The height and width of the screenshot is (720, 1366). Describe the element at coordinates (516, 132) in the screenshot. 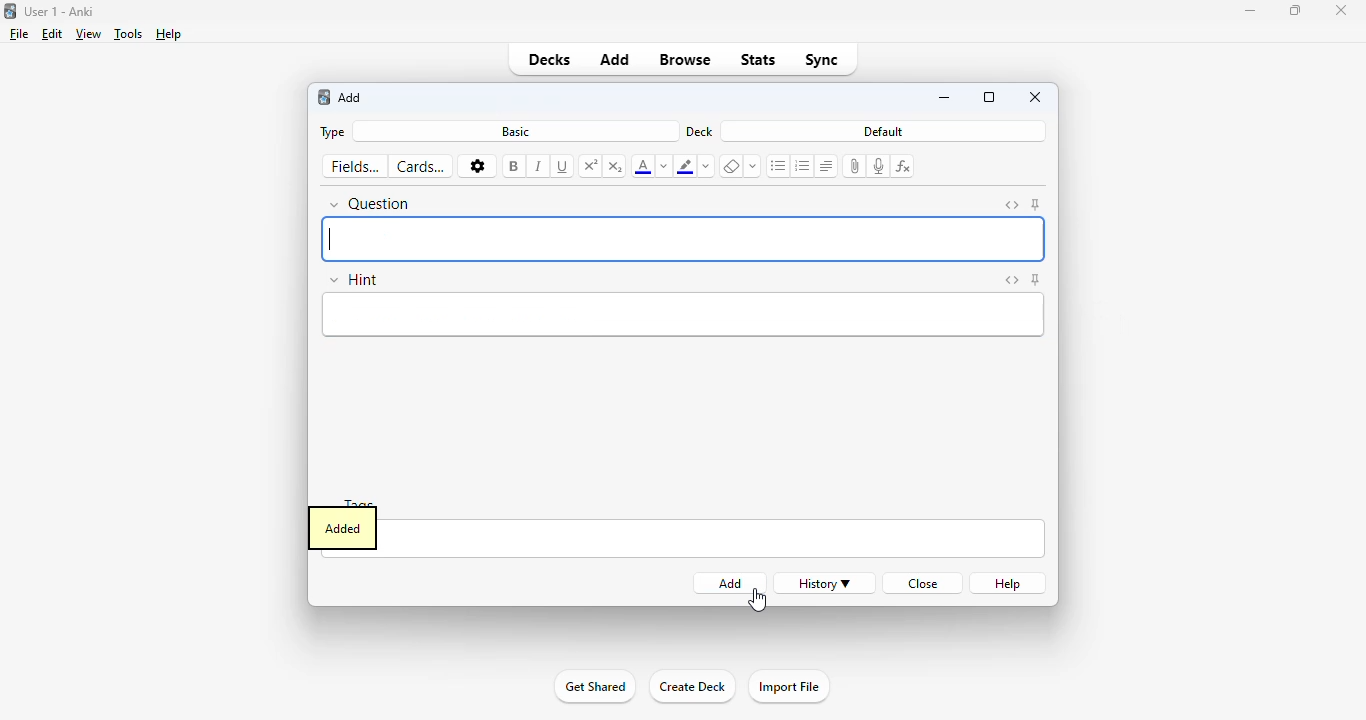

I see `basic` at that location.